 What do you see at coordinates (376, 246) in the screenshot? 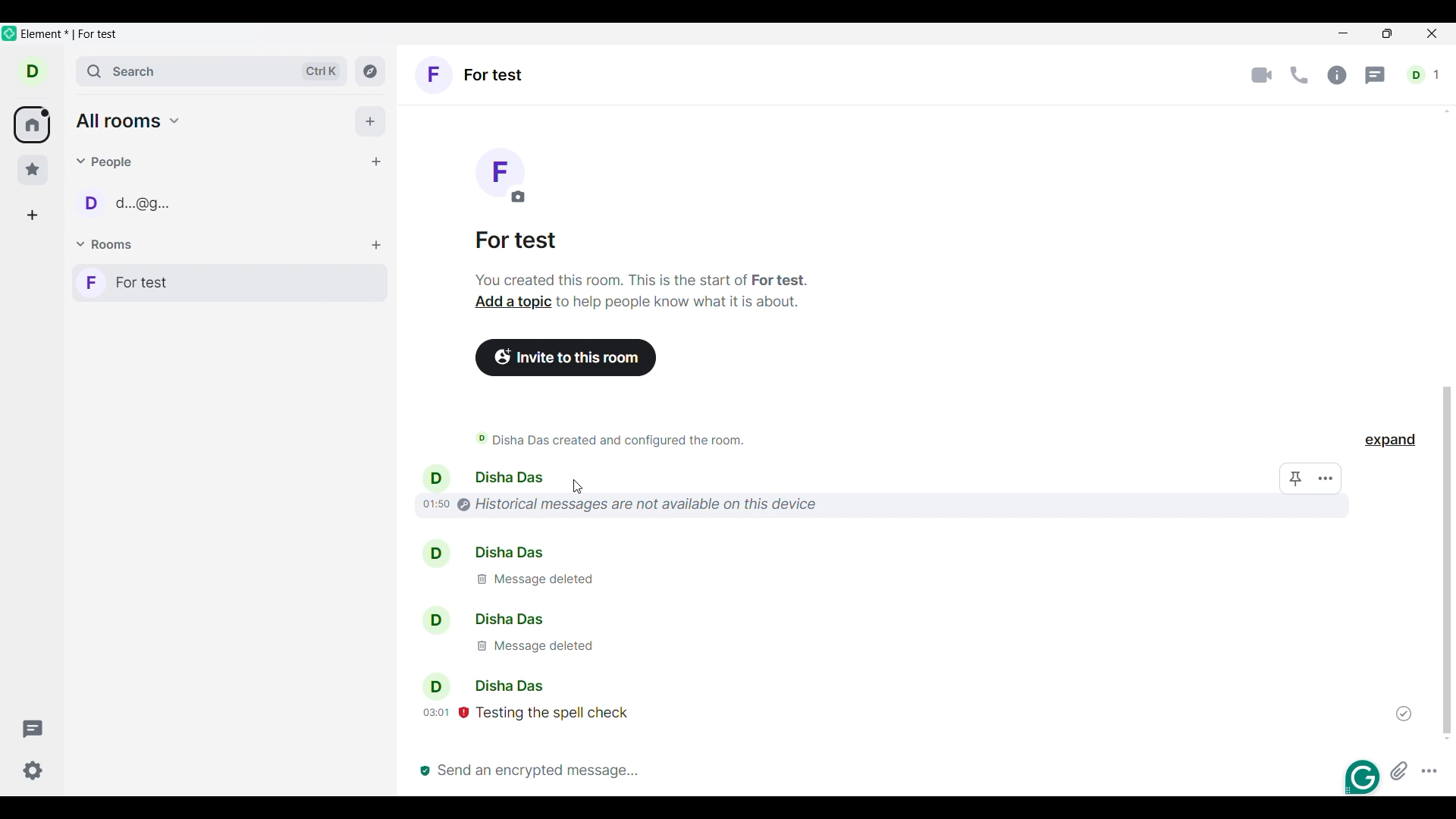
I see `Add room` at bounding box center [376, 246].